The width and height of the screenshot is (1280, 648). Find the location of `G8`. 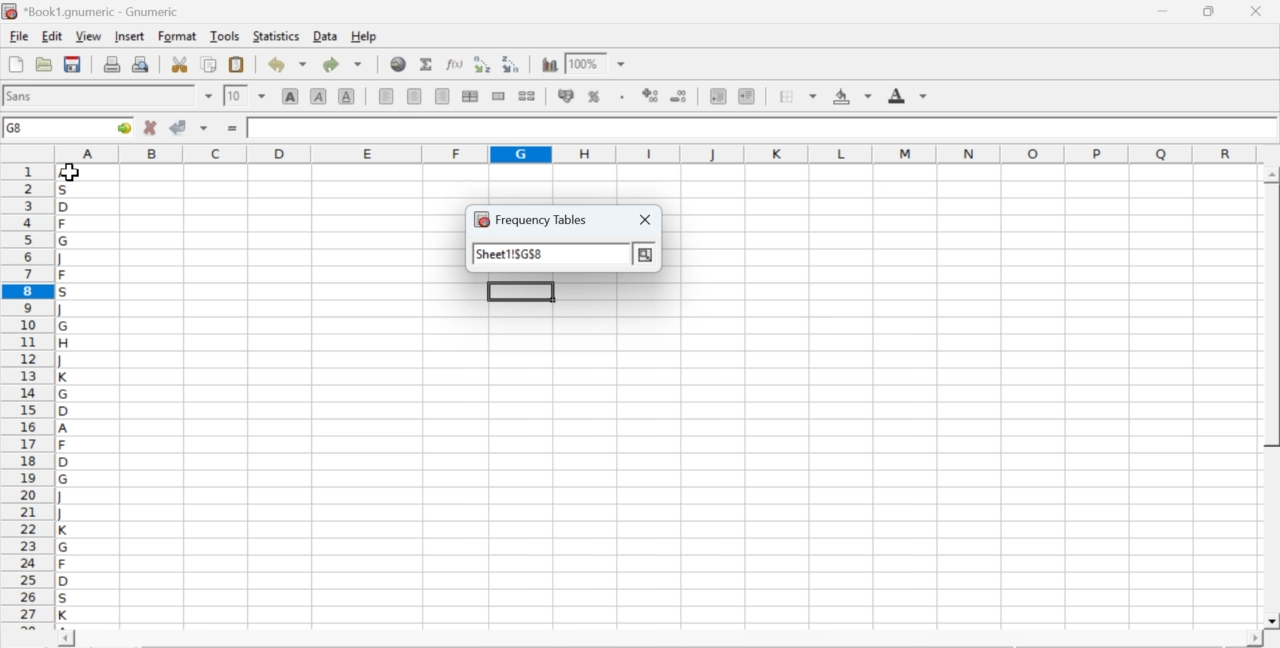

G8 is located at coordinates (17, 128).